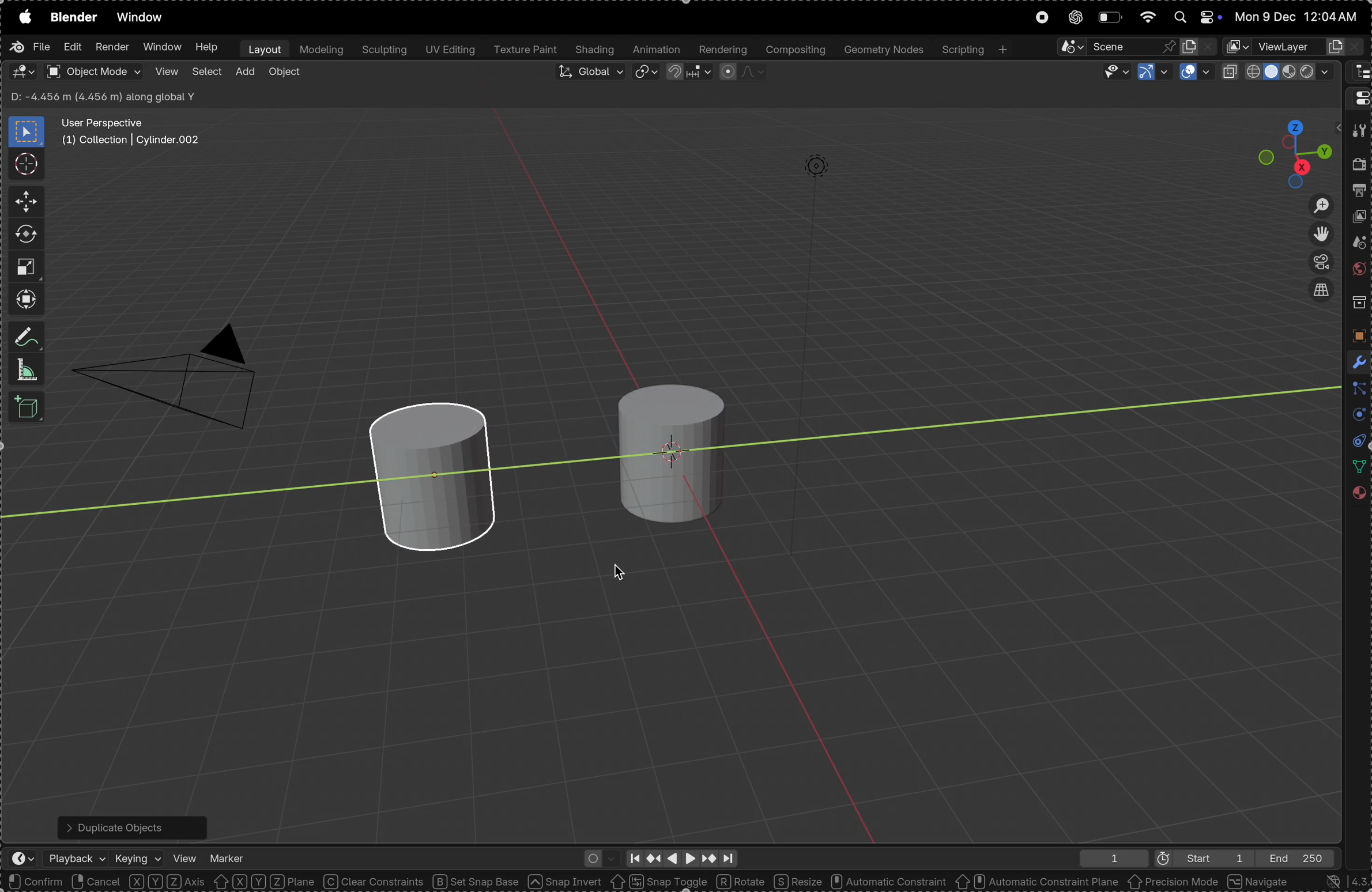 The width and height of the screenshot is (1372, 892). I want to click on proportinall falling objects, so click(737, 72).